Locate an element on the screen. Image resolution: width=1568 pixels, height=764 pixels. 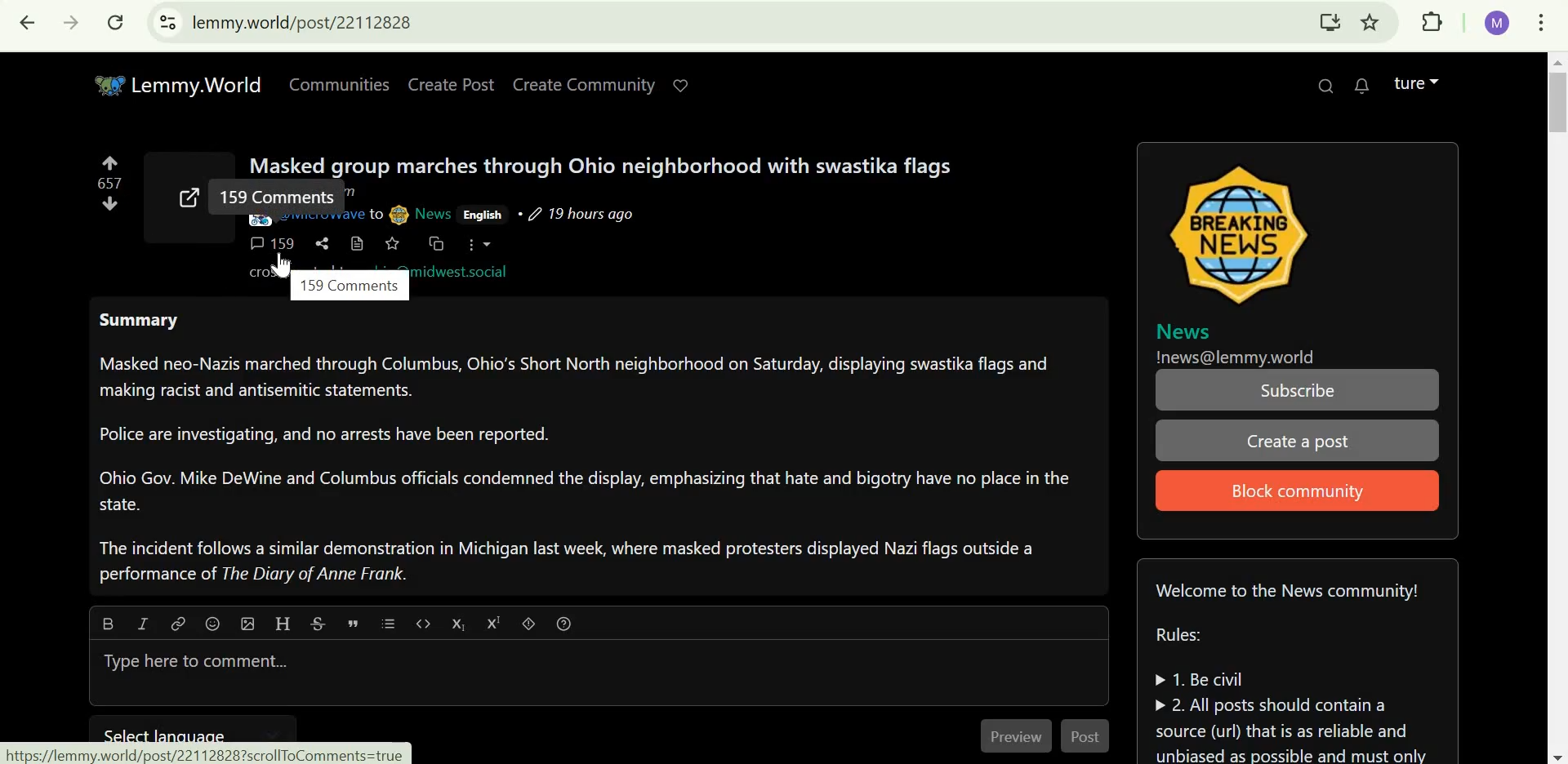
search is located at coordinates (1325, 85).